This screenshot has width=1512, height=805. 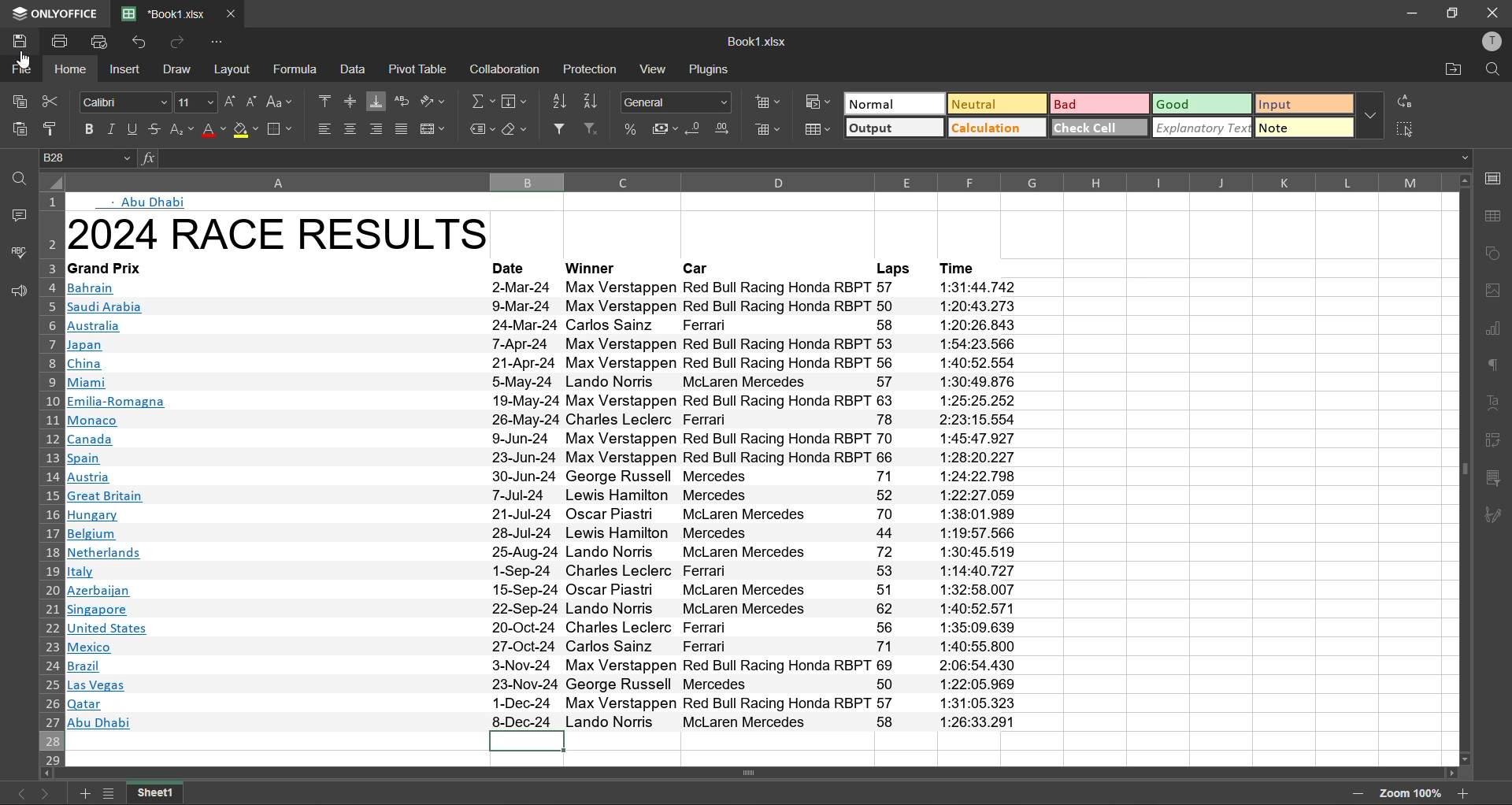 I want to click on #8 Abu Dhabi 8-Dec-24 Lando Norris McLaren Mercedes 58 1:26:33.291, so click(x=543, y=722).